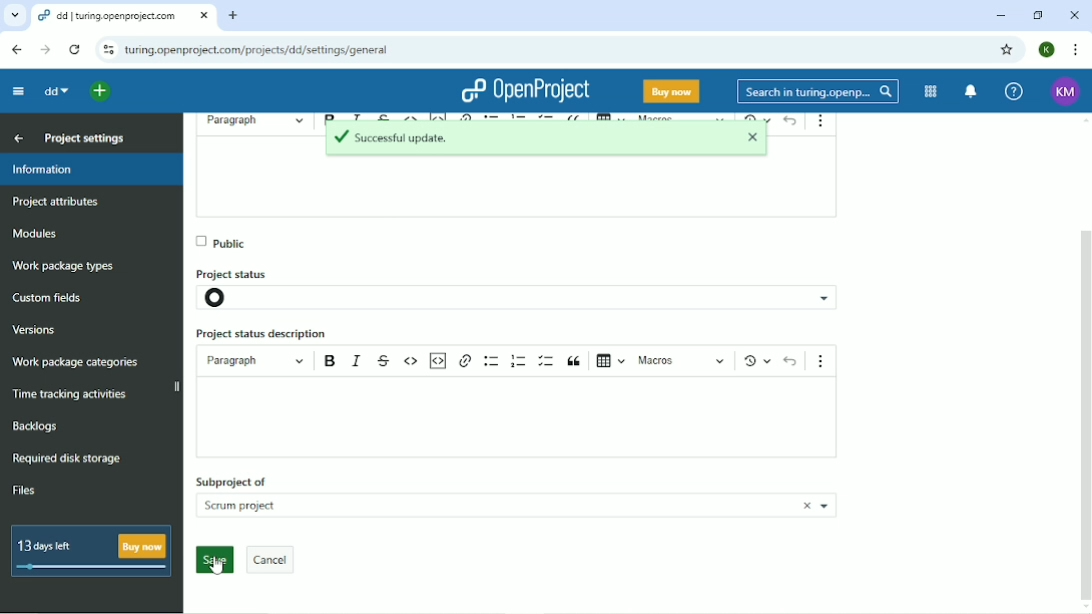 Image resolution: width=1092 pixels, height=614 pixels. What do you see at coordinates (228, 303) in the screenshot?
I see `project status icon- not set` at bounding box center [228, 303].